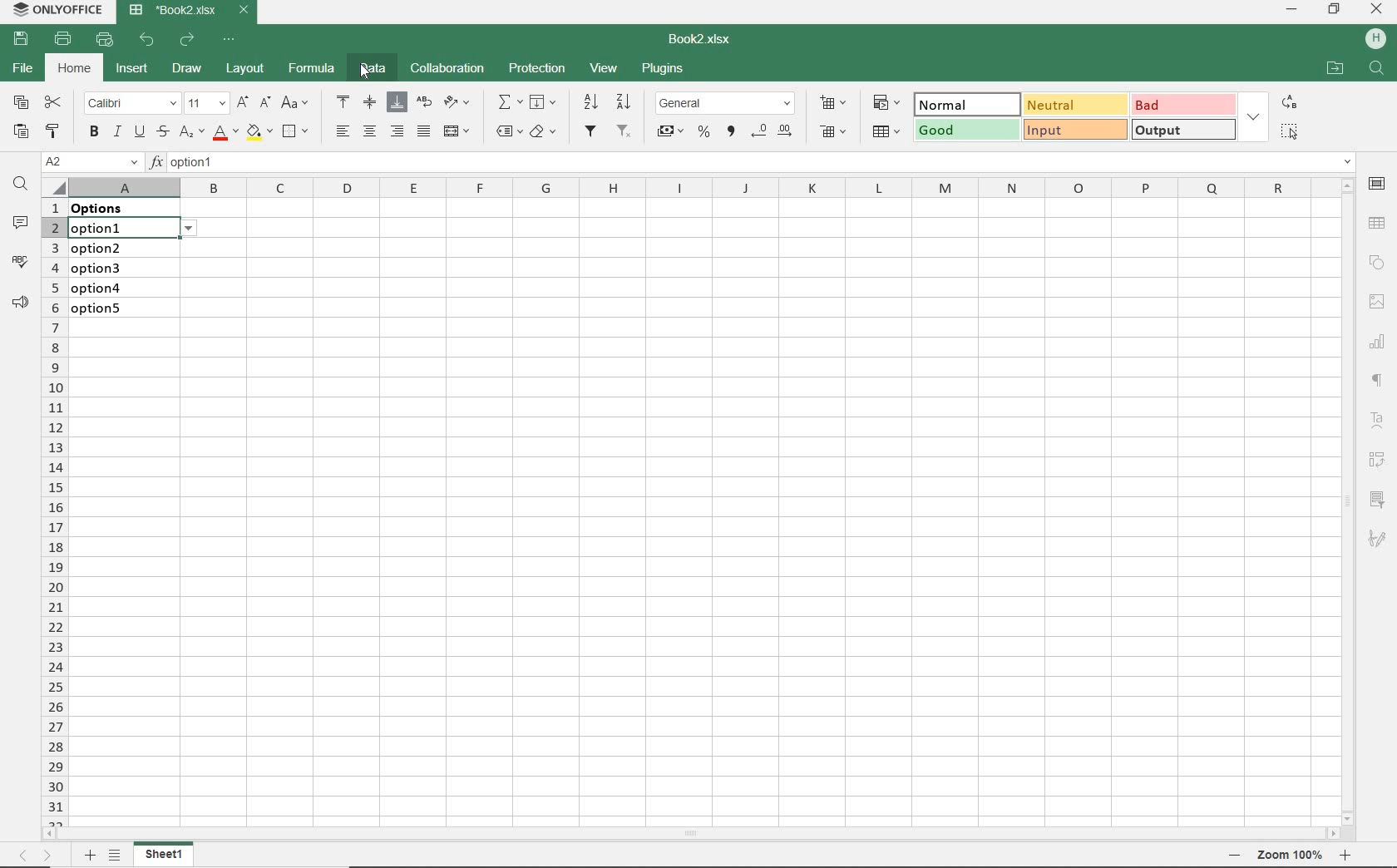 The width and height of the screenshot is (1397, 868). I want to click on DELETE CELLS, so click(836, 133).